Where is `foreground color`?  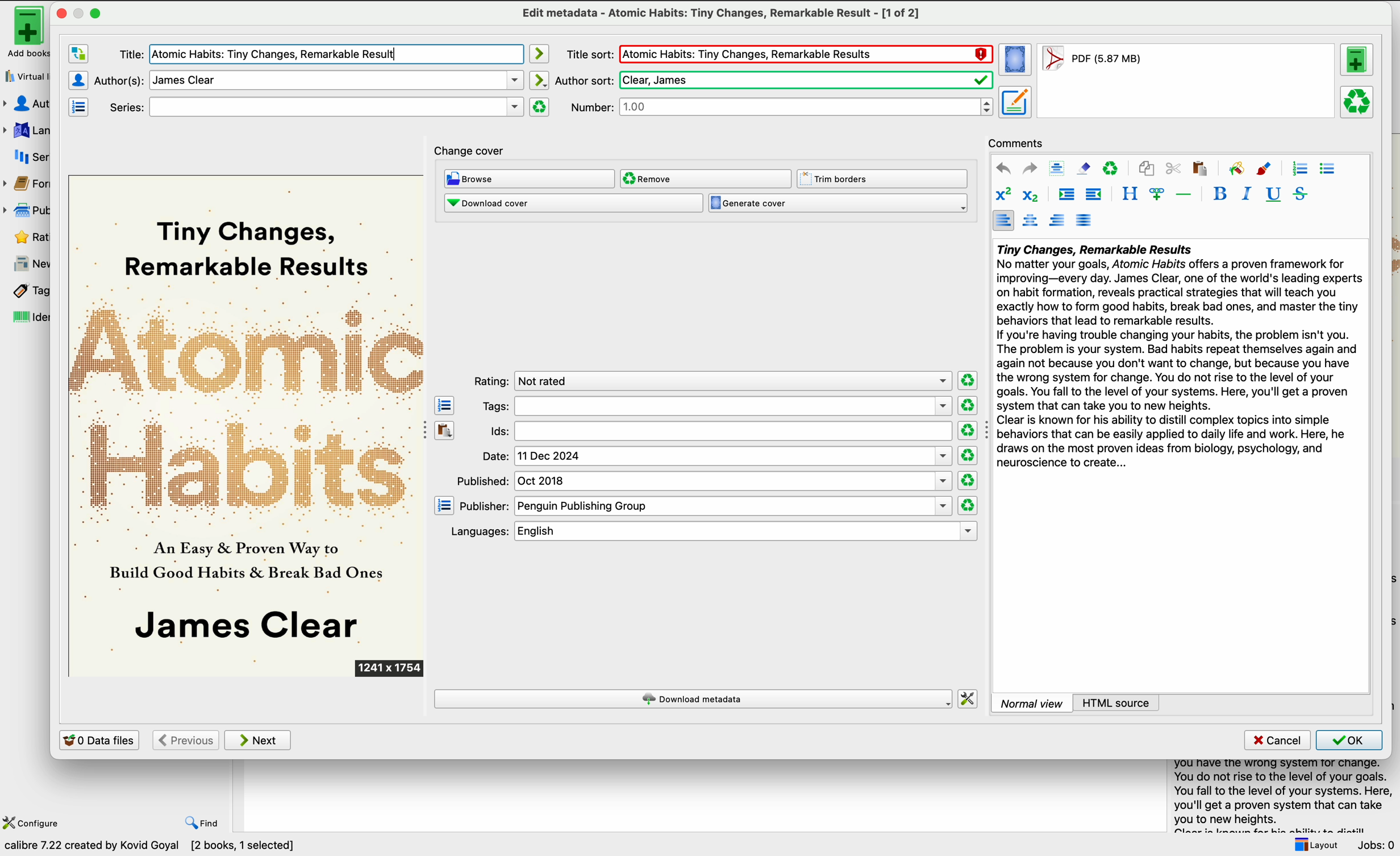 foreground color is located at coordinates (1265, 168).